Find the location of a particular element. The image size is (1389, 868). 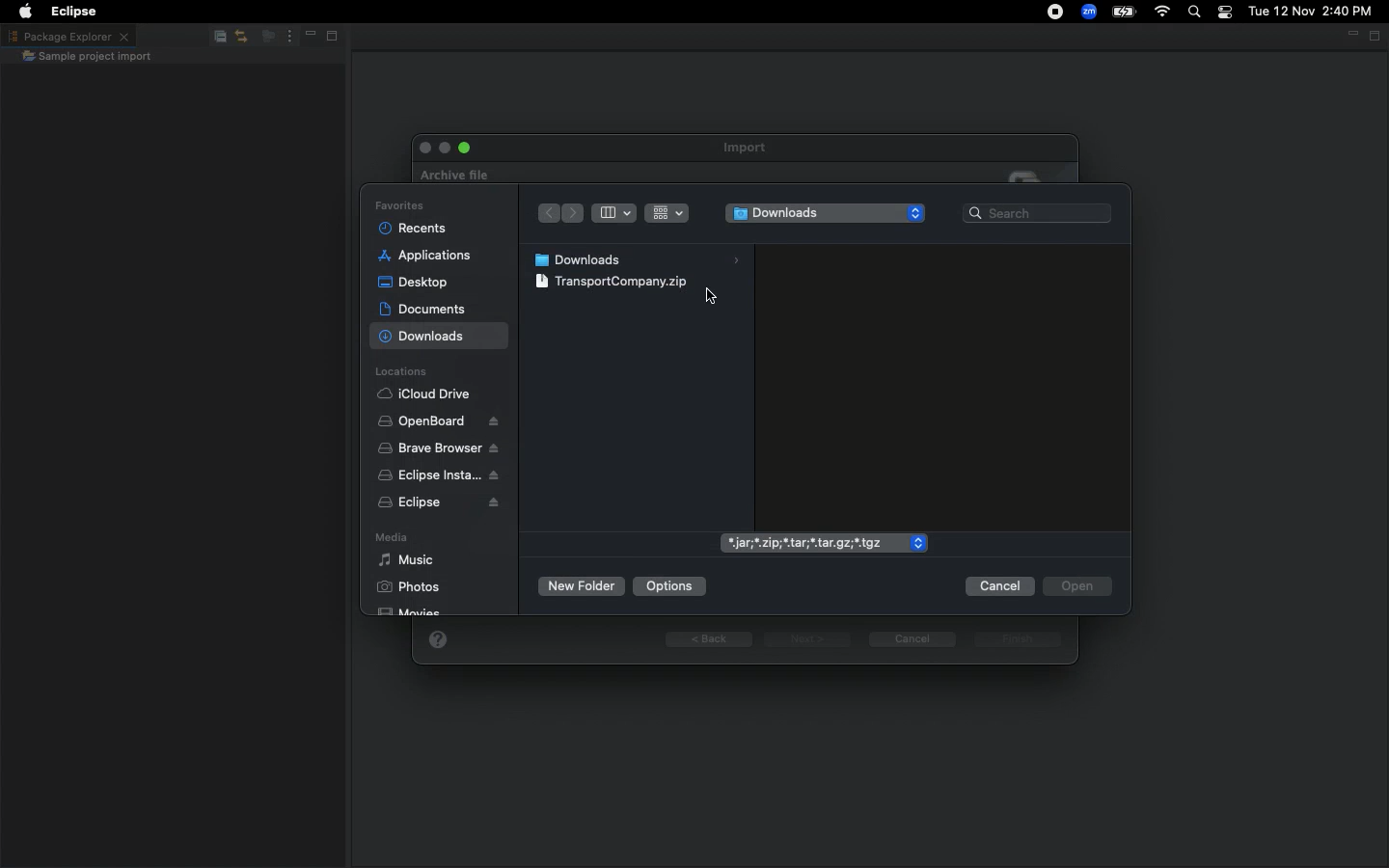

Applications is located at coordinates (424, 257).